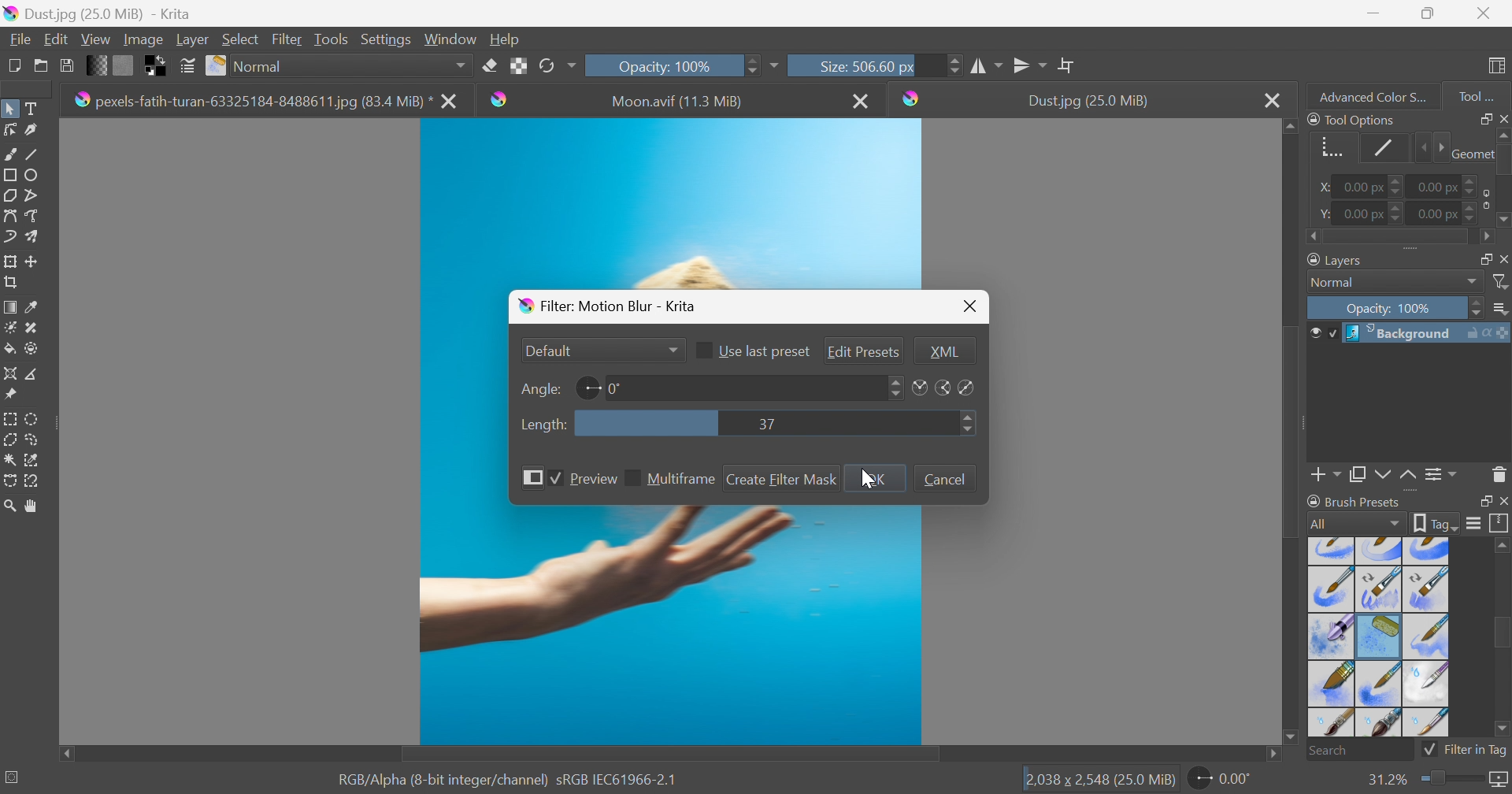 This screenshot has width=1512, height=794. I want to click on Help, so click(506, 39).